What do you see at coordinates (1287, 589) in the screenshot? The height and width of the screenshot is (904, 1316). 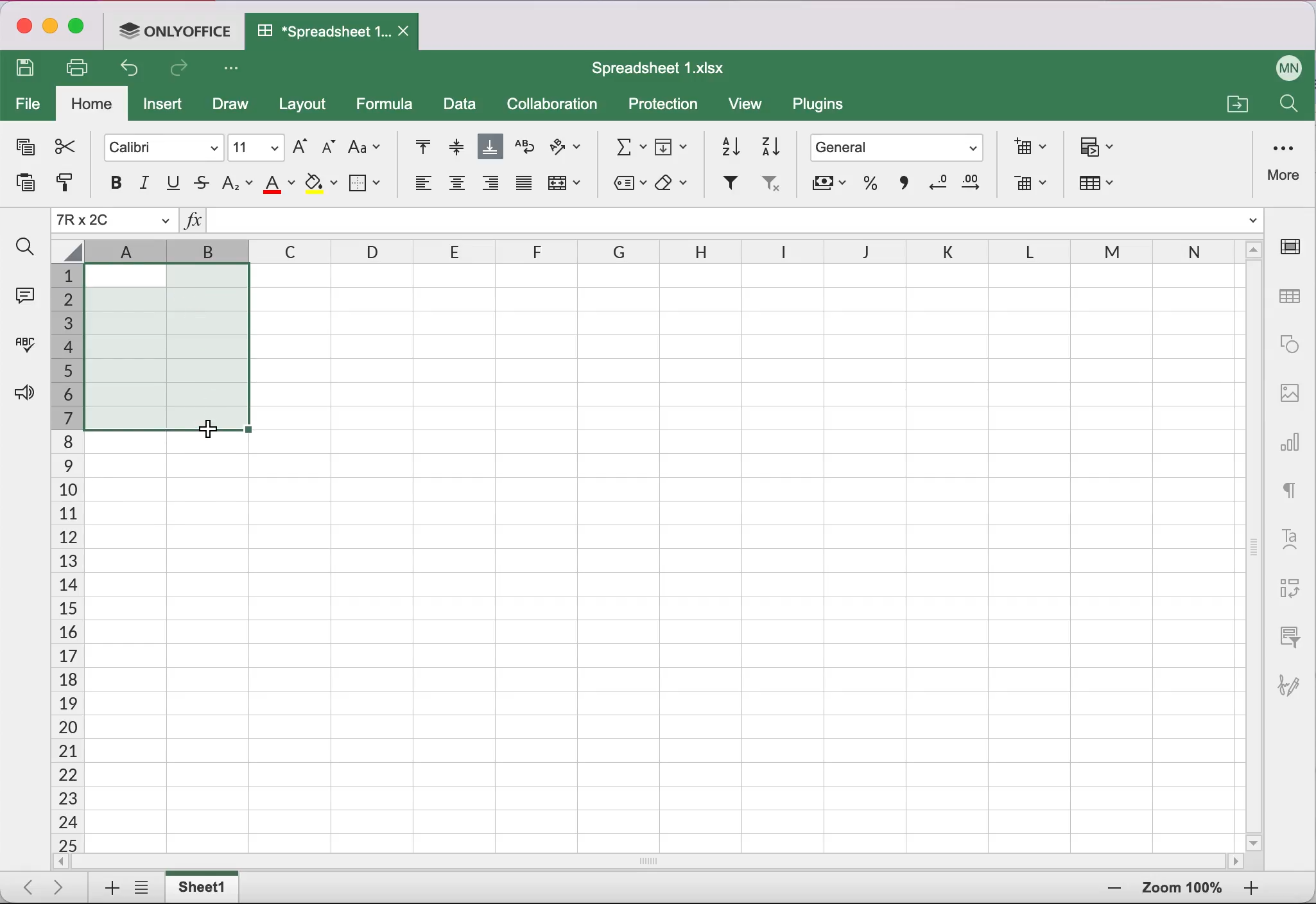 I see `pivot table` at bounding box center [1287, 589].